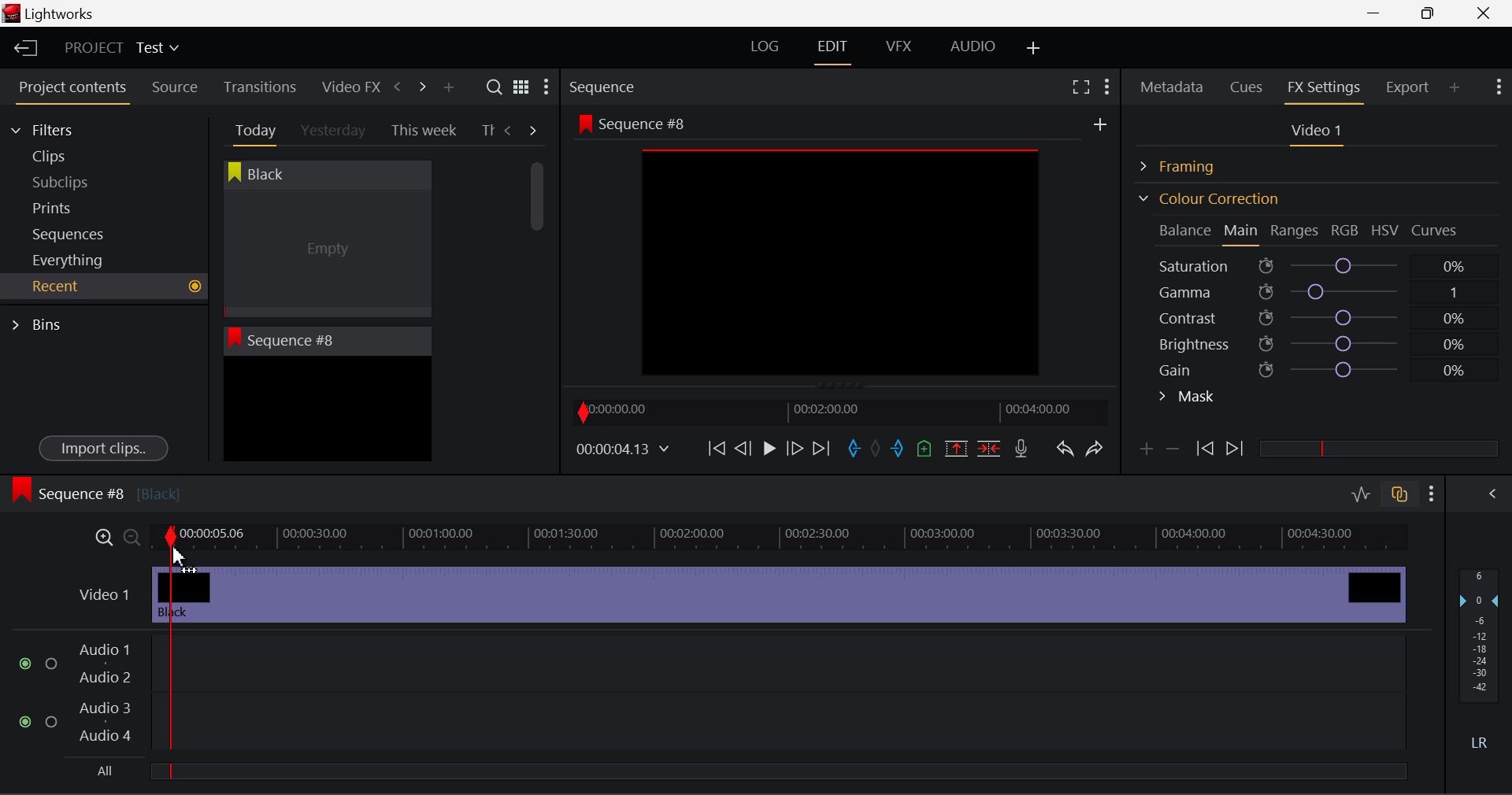 Image resolution: width=1512 pixels, height=795 pixels. Describe the element at coordinates (1432, 494) in the screenshot. I see `Show Settings` at that location.